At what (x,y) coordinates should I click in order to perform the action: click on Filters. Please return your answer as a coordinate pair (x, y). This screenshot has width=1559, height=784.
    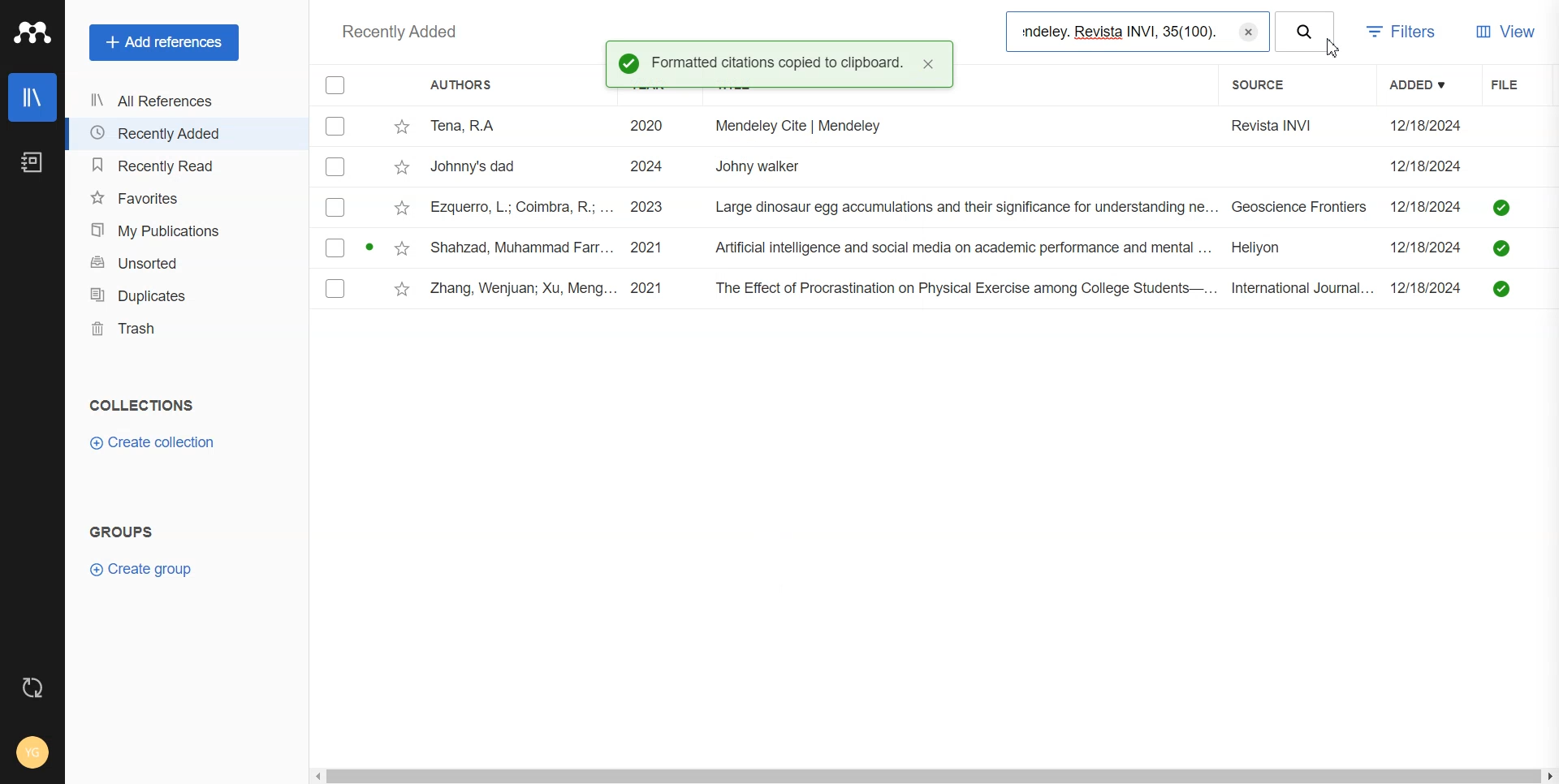
    Looking at the image, I should click on (1406, 34).